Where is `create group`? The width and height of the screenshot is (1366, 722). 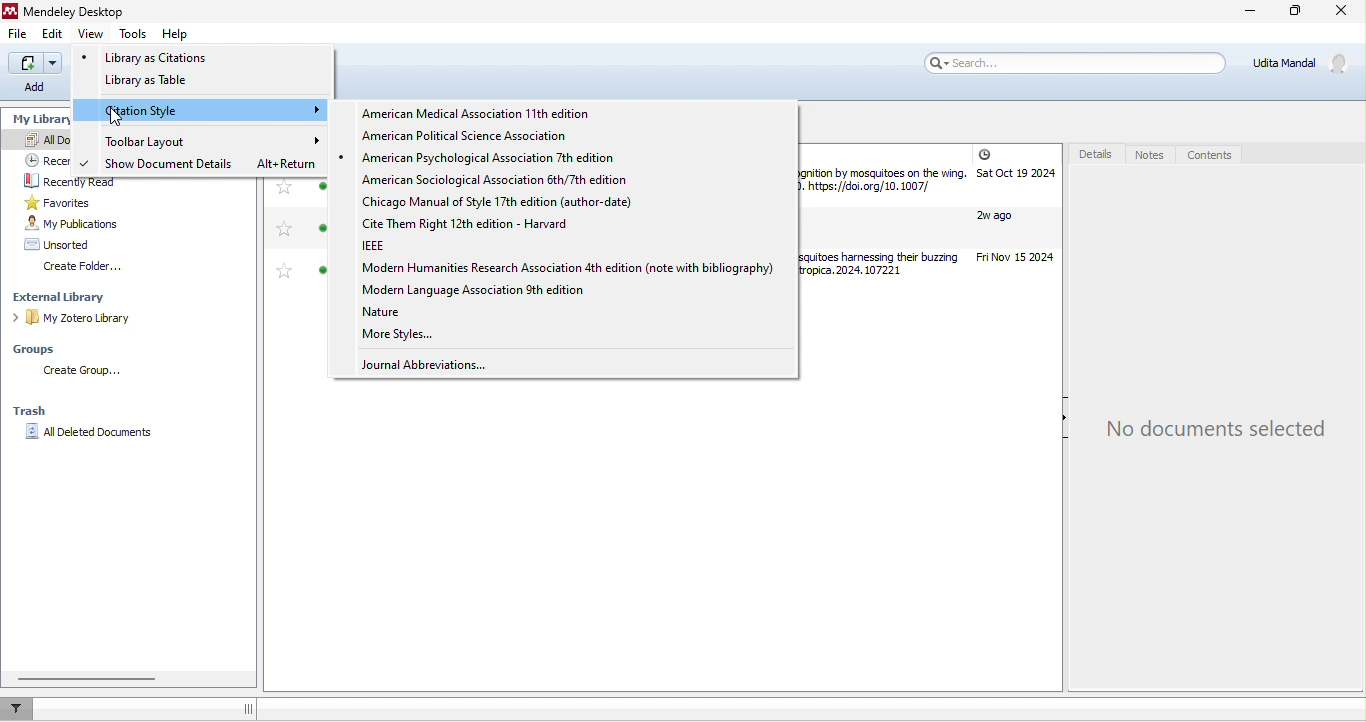
create group is located at coordinates (88, 373).